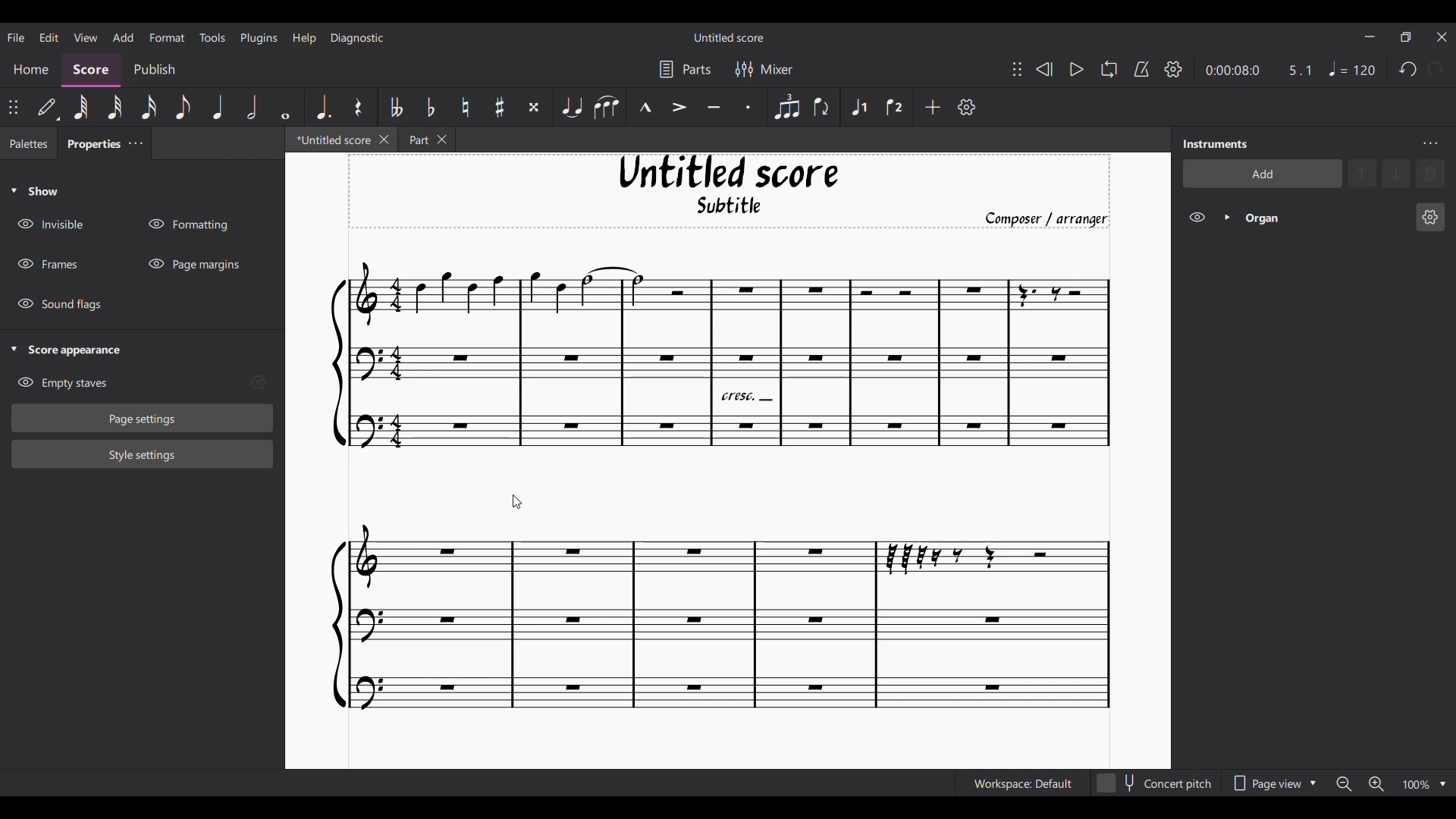  Describe the element at coordinates (1216, 143) in the screenshot. I see `Panel title` at that location.